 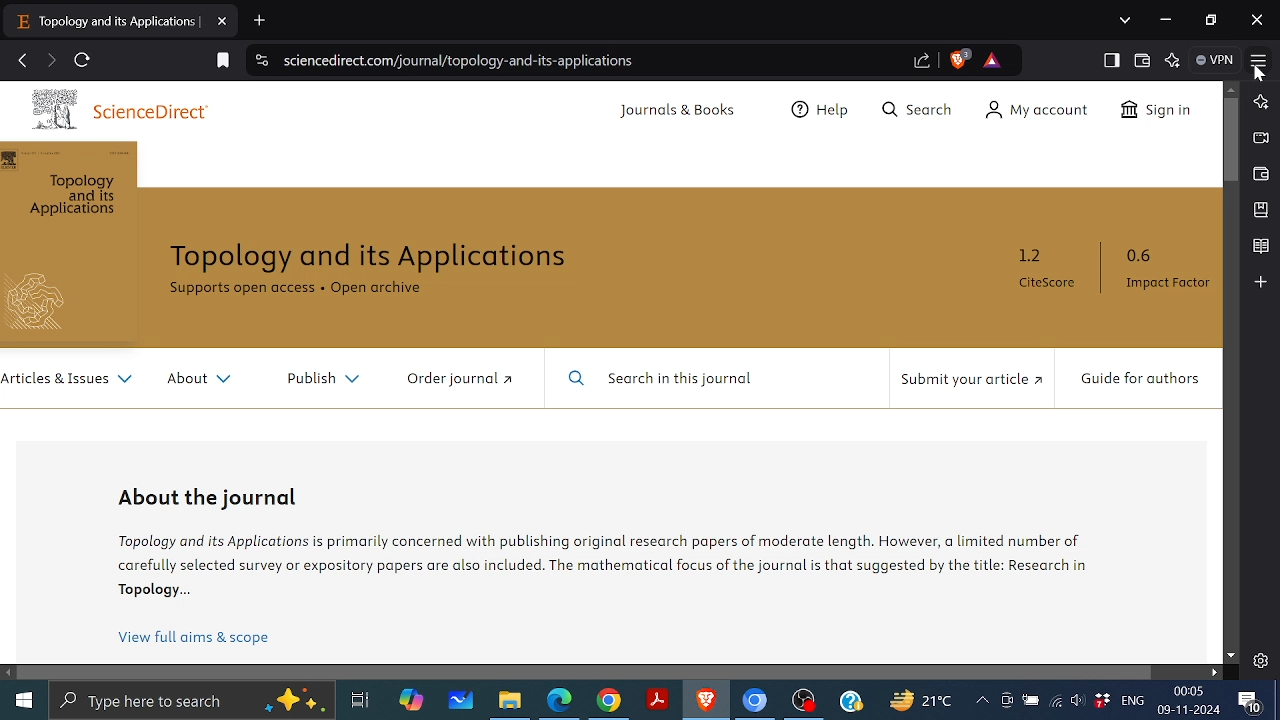 I want to click on Minimize, so click(x=1167, y=18).